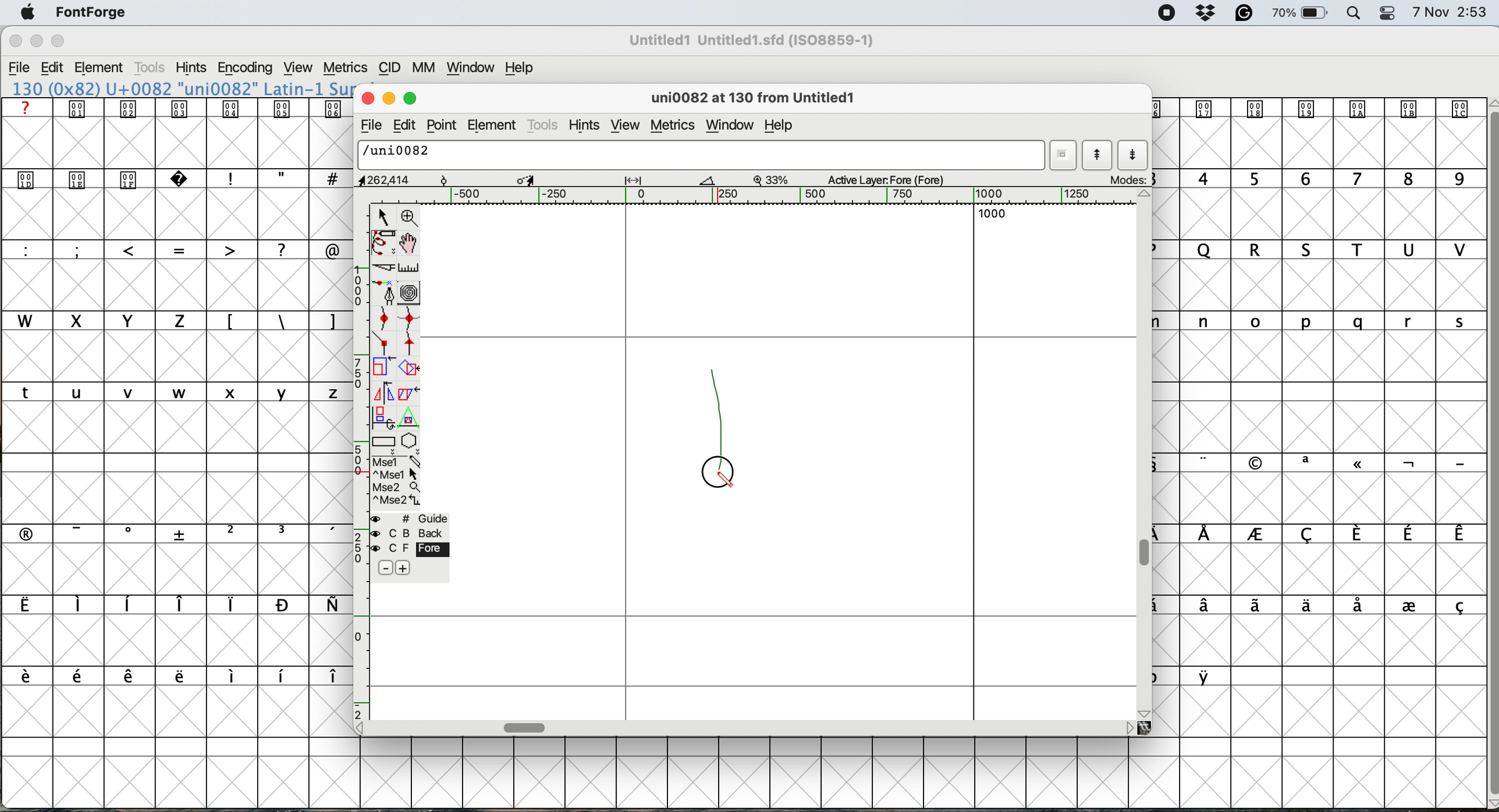 The height and width of the screenshot is (812, 1499). Describe the element at coordinates (369, 127) in the screenshot. I see `file` at that location.